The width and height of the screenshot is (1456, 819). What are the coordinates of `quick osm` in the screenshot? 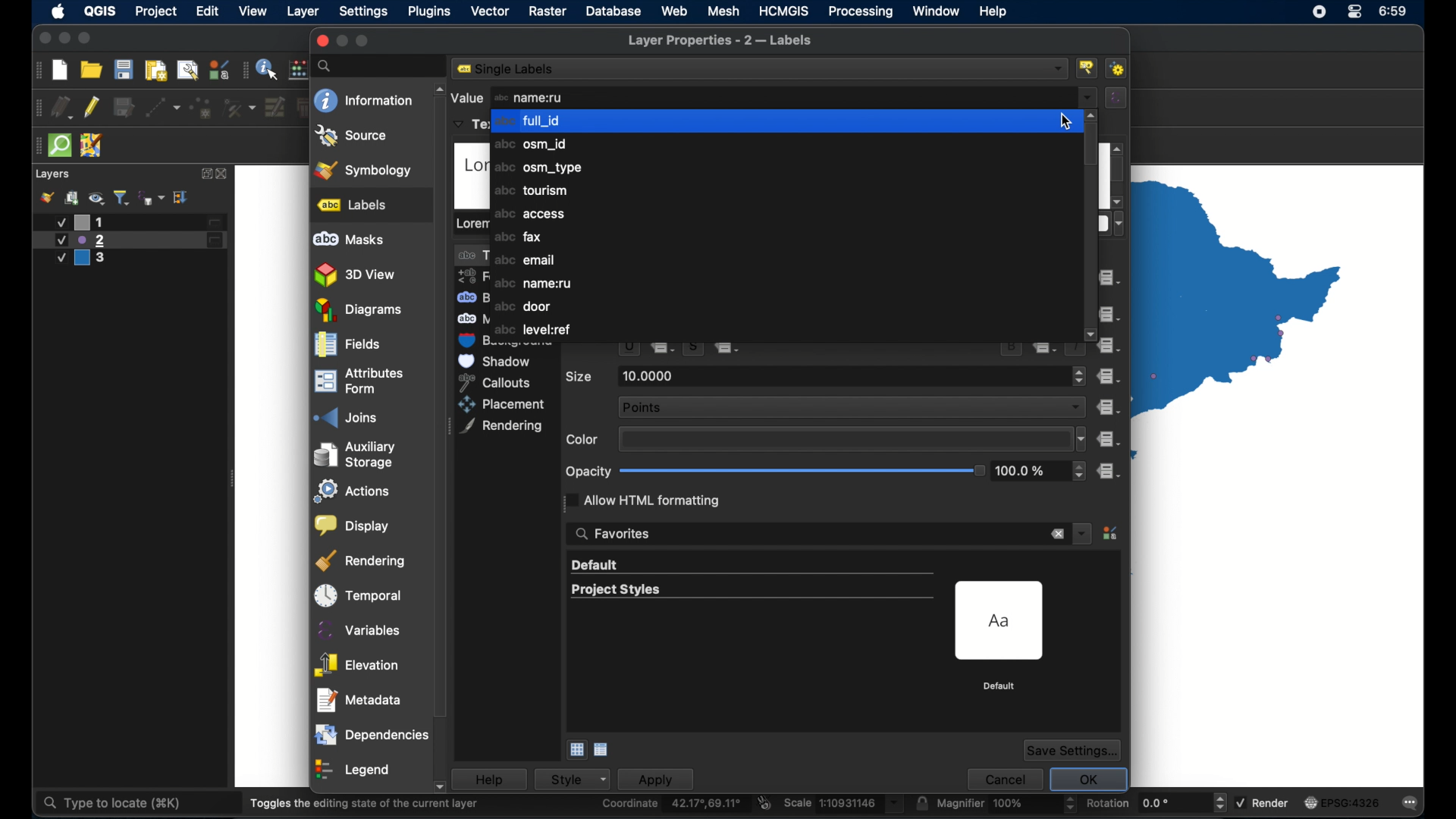 It's located at (61, 146).